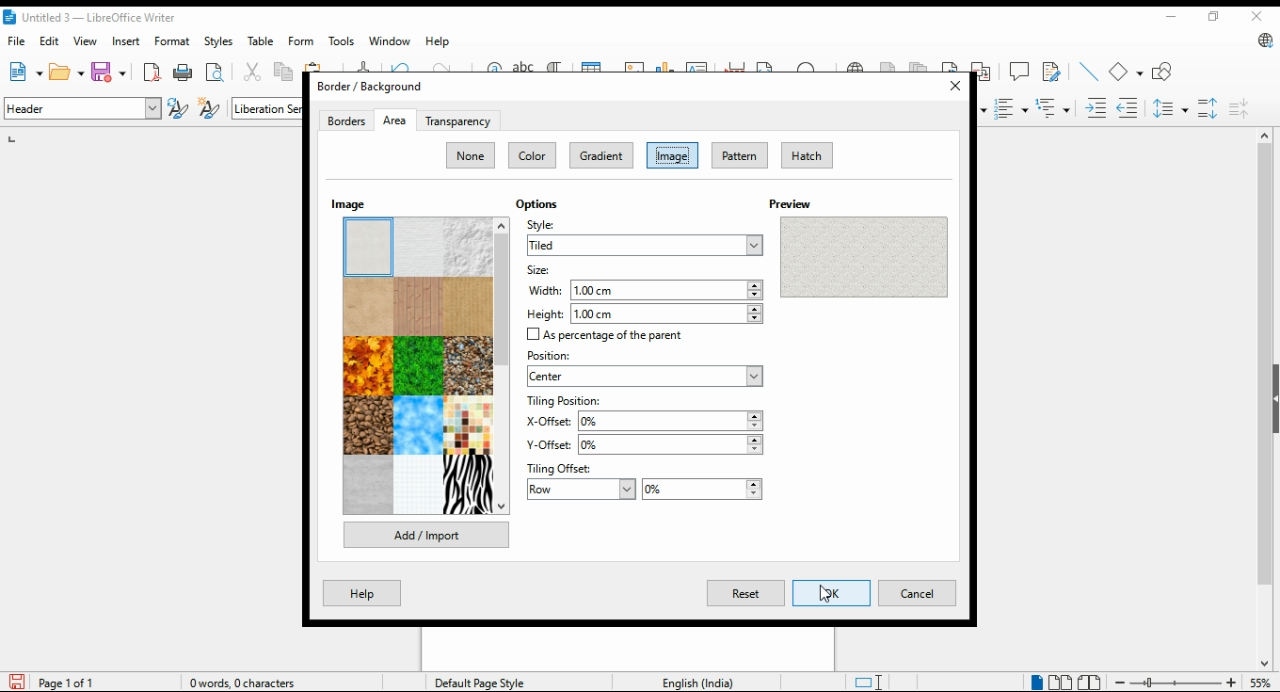 The height and width of the screenshot is (692, 1280). Describe the element at coordinates (217, 42) in the screenshot. I see `styles` at that location.